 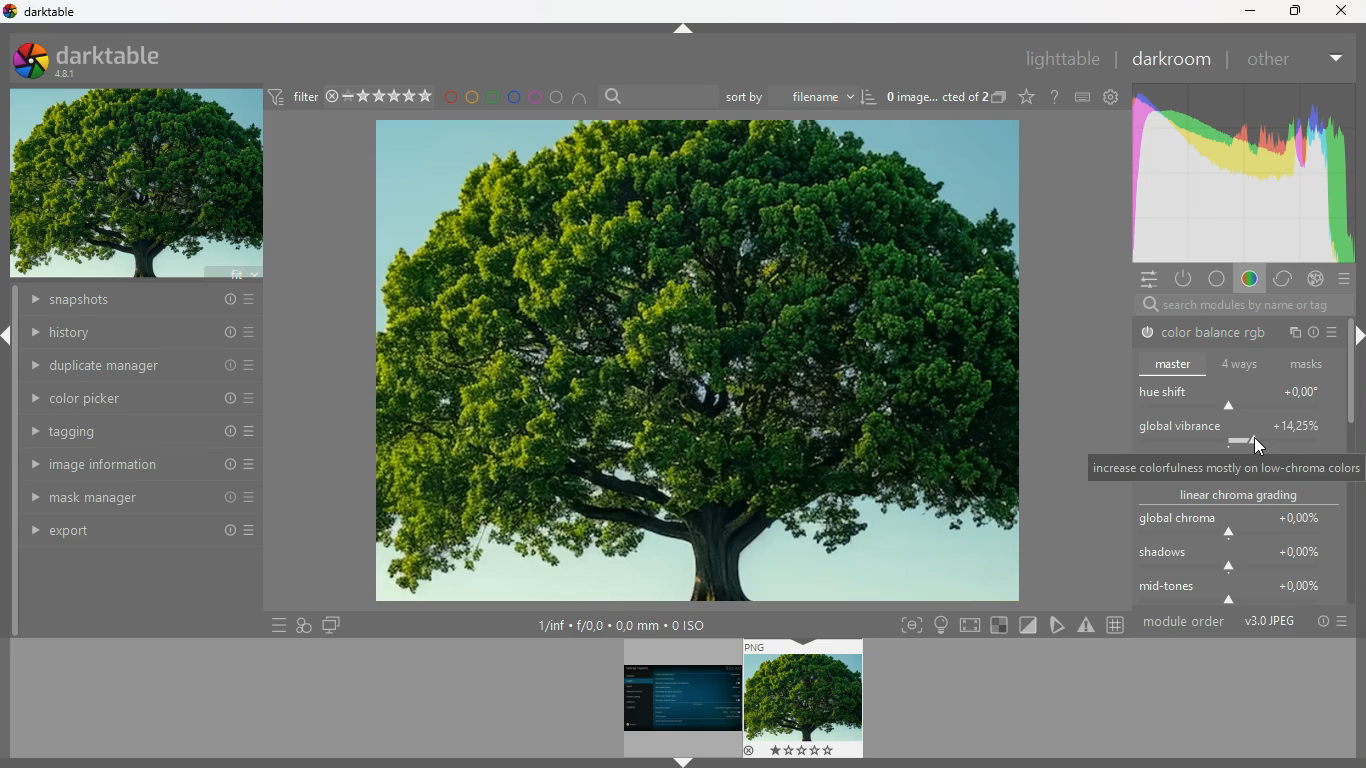 What do you see at coordinates (49, 11) in the screenshot?
I see `darktable` at bounding box center [49, 11].